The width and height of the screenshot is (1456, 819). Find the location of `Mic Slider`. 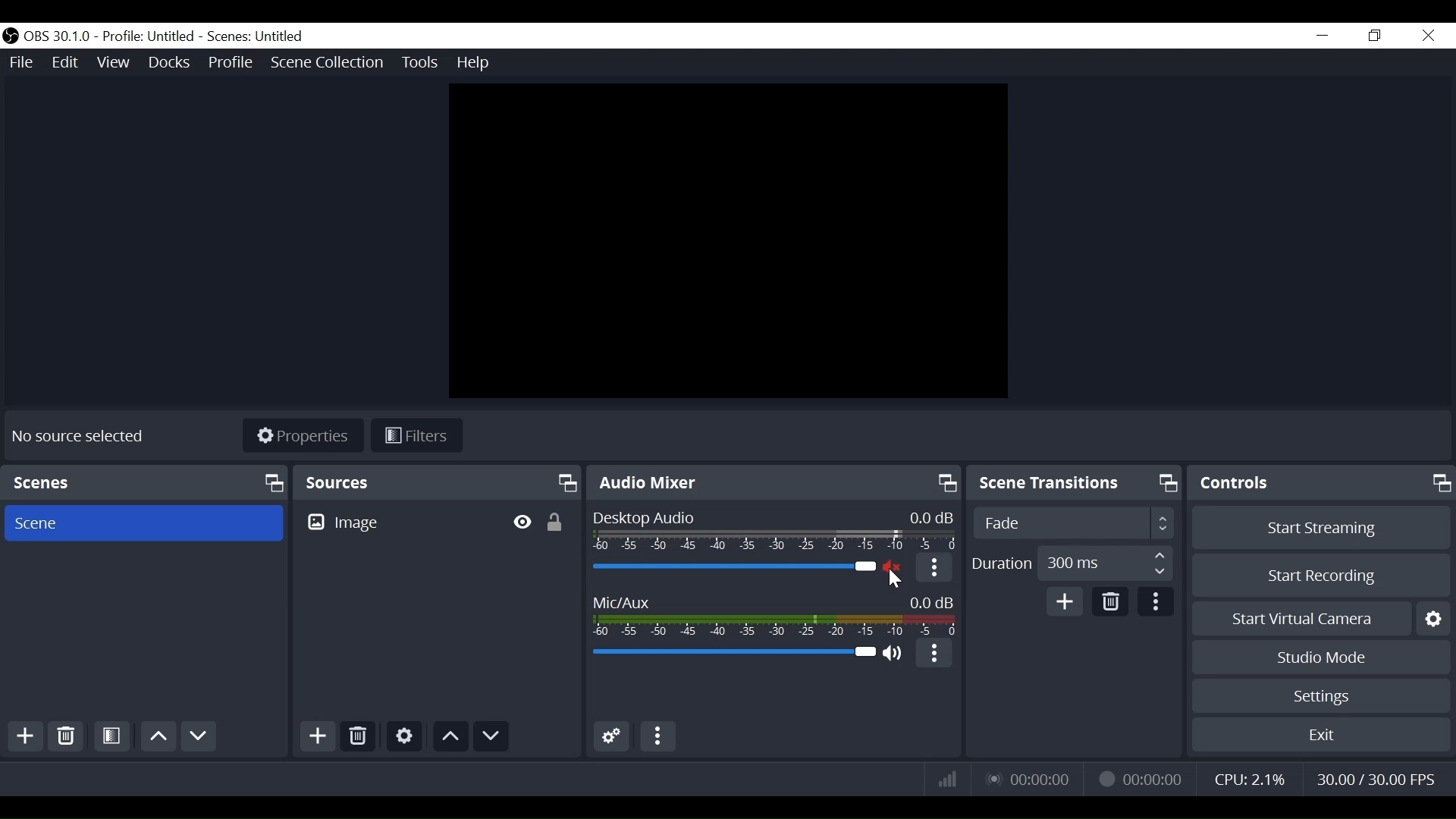

Mic Slider is located at coordinates (733, 653).